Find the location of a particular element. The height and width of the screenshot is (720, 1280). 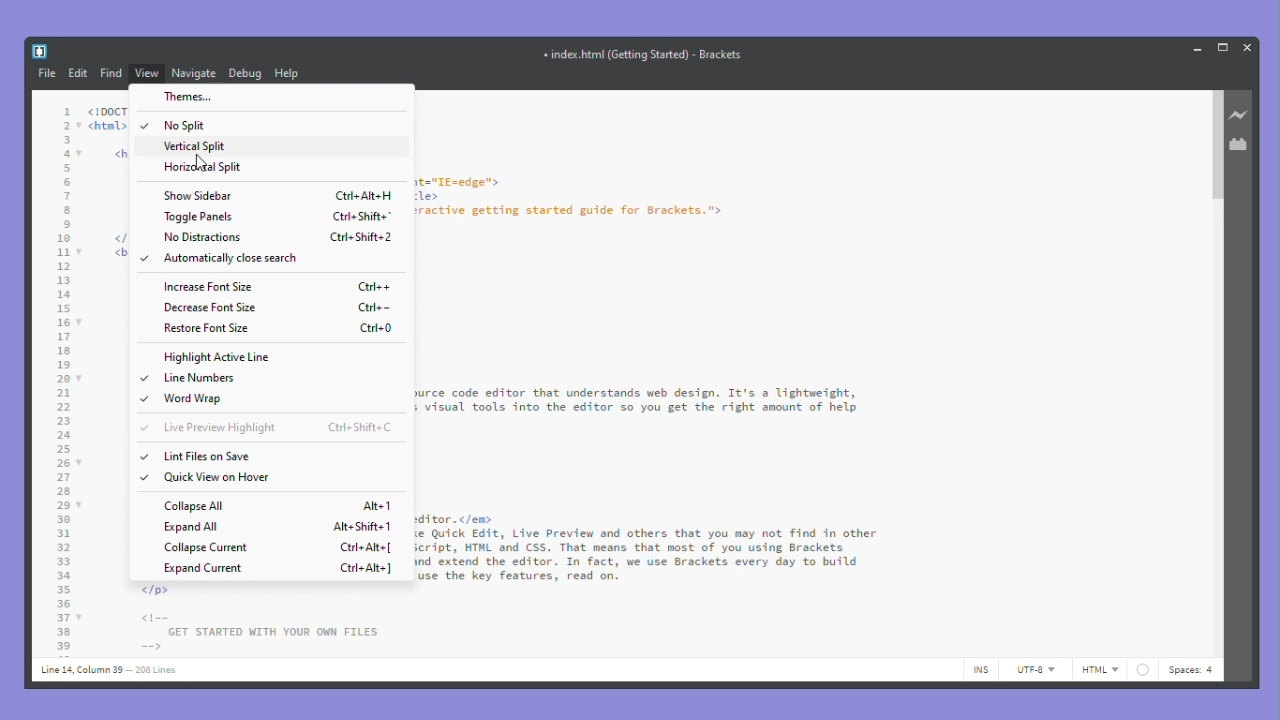

<p> Welcome to Brackets, a modern open-source code editor that understands web design. It's a lightweight, yet powerful, code editor that blends visual tools into the editor so you get the right amount of help when you want it.</p> is located at coordinates (639, 408).